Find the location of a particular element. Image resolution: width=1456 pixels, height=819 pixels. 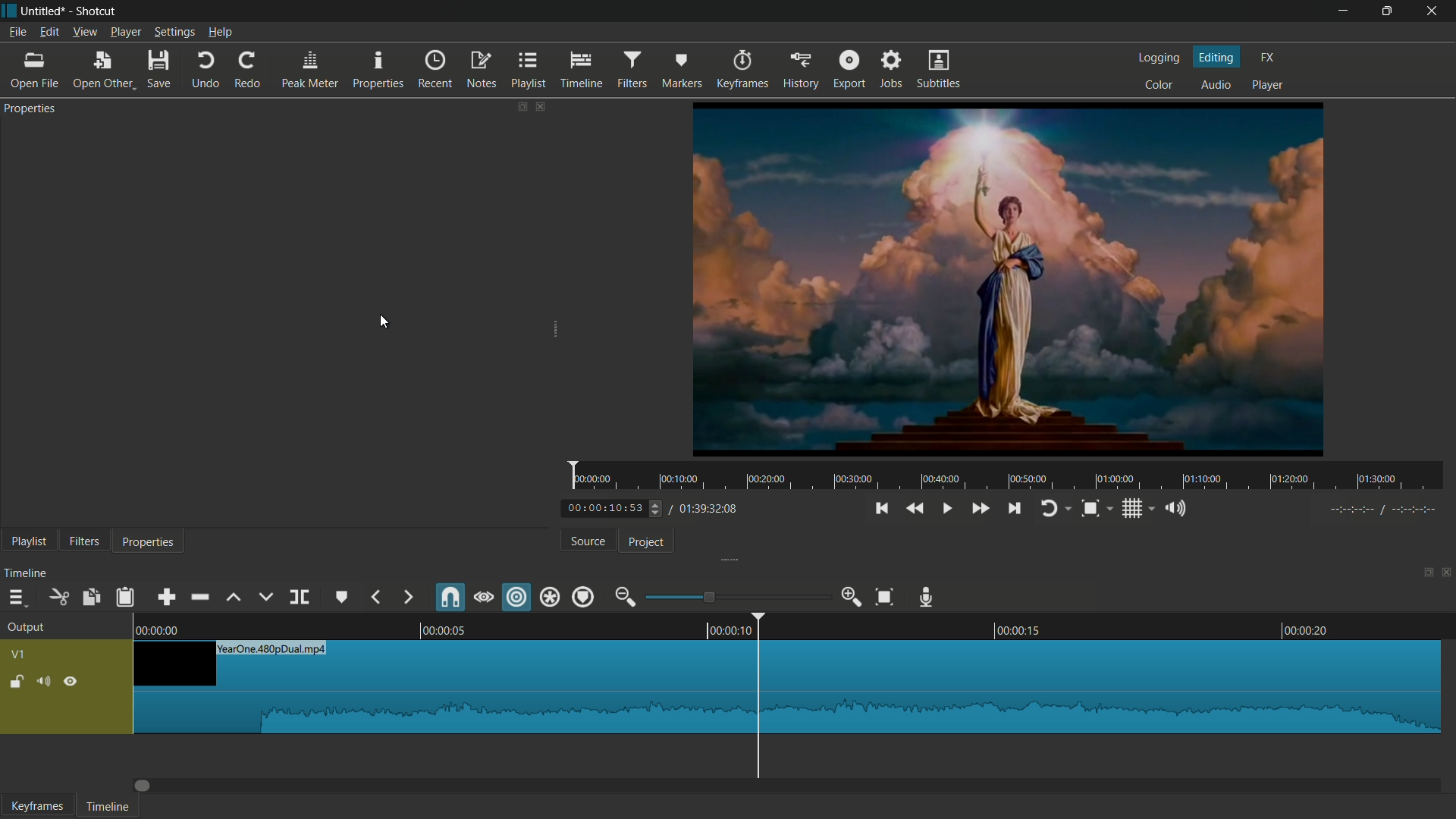

change layout is located at coordinates (1423, 573).